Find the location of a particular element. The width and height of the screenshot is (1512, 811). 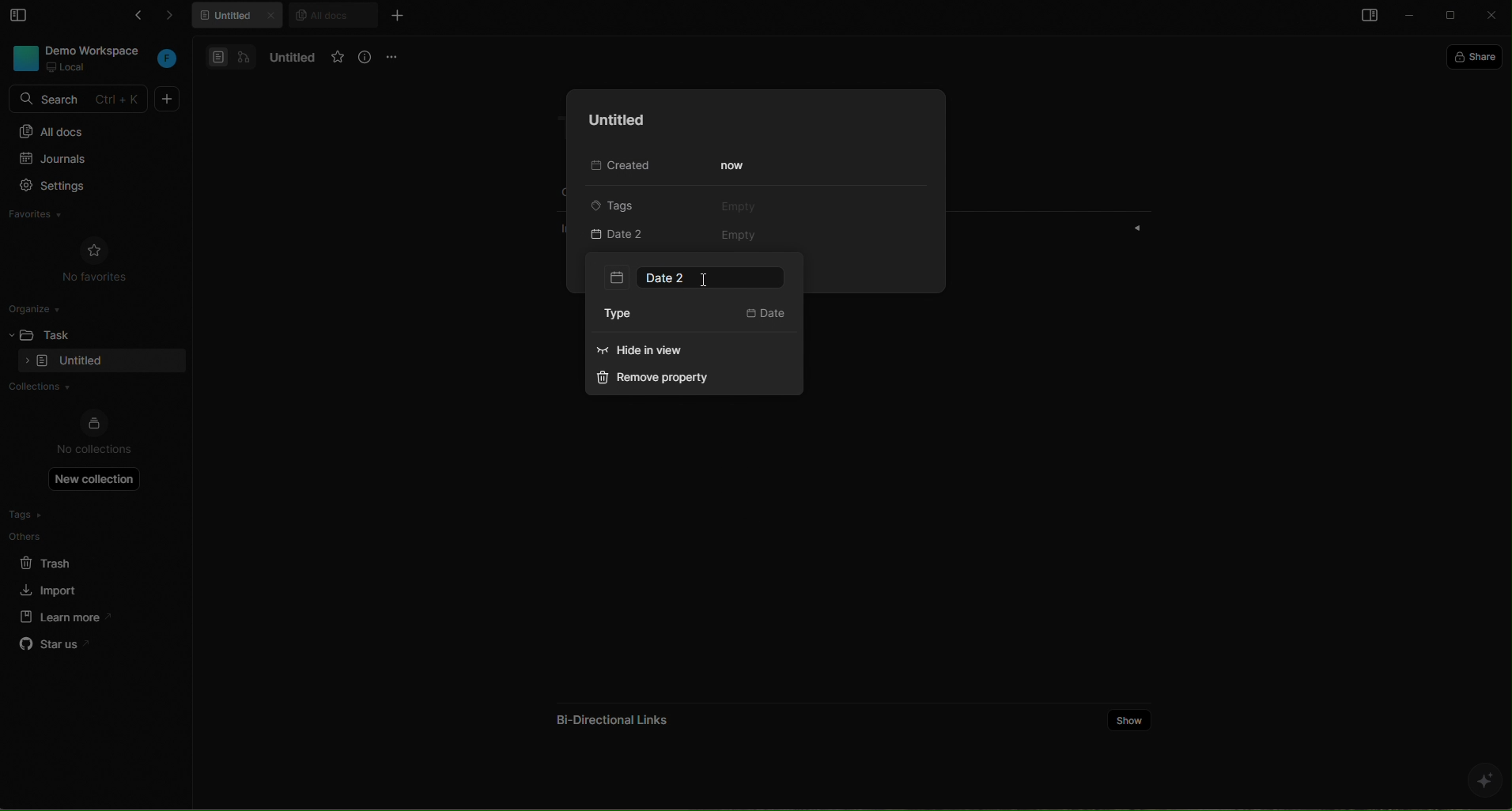

all docs is located at coordinates (332, 14).